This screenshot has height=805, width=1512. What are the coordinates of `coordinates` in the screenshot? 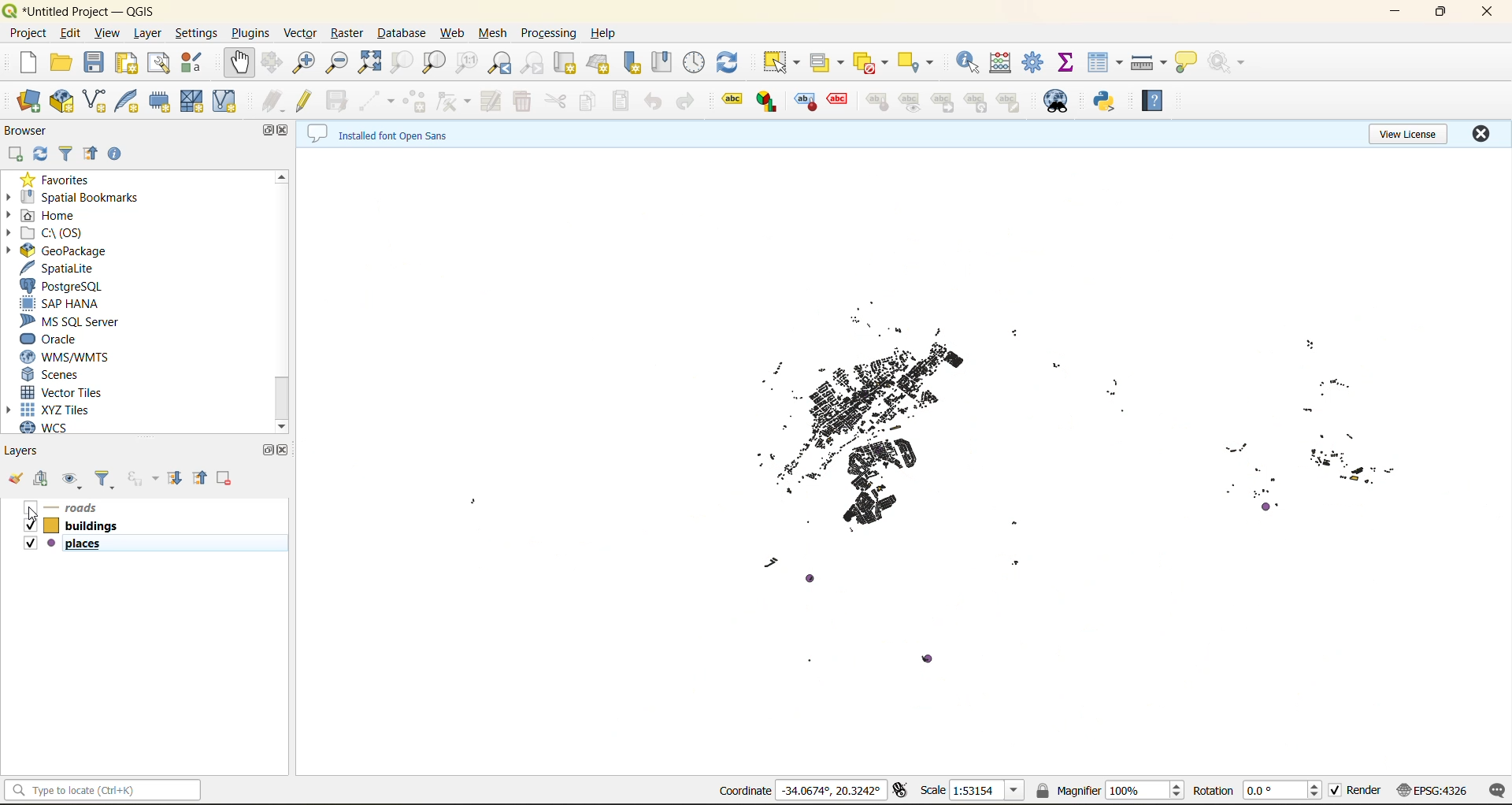 It's located at (799, 789).